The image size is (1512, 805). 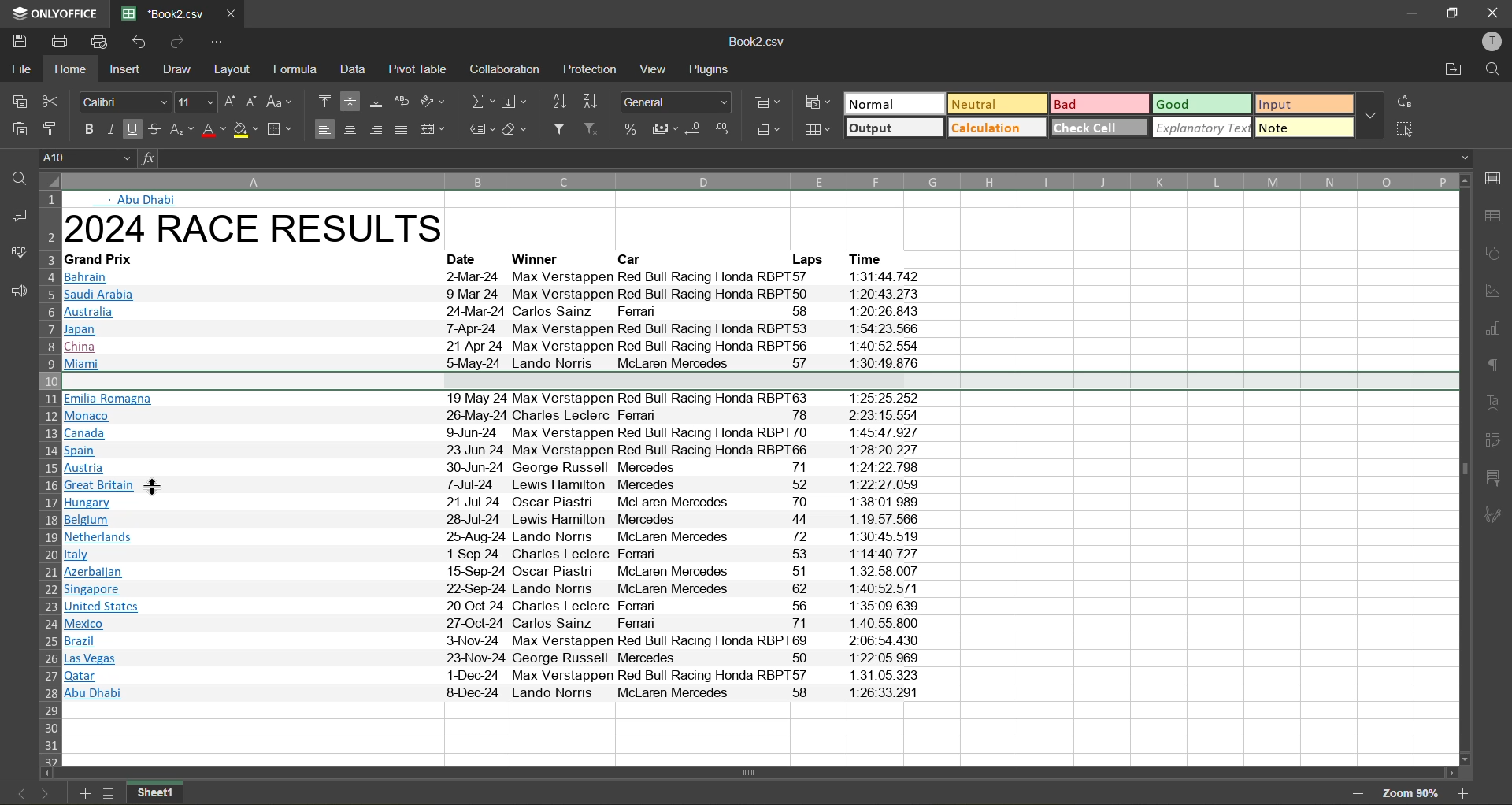 I want to click on conditional formatting, so click(x=817, y=103).